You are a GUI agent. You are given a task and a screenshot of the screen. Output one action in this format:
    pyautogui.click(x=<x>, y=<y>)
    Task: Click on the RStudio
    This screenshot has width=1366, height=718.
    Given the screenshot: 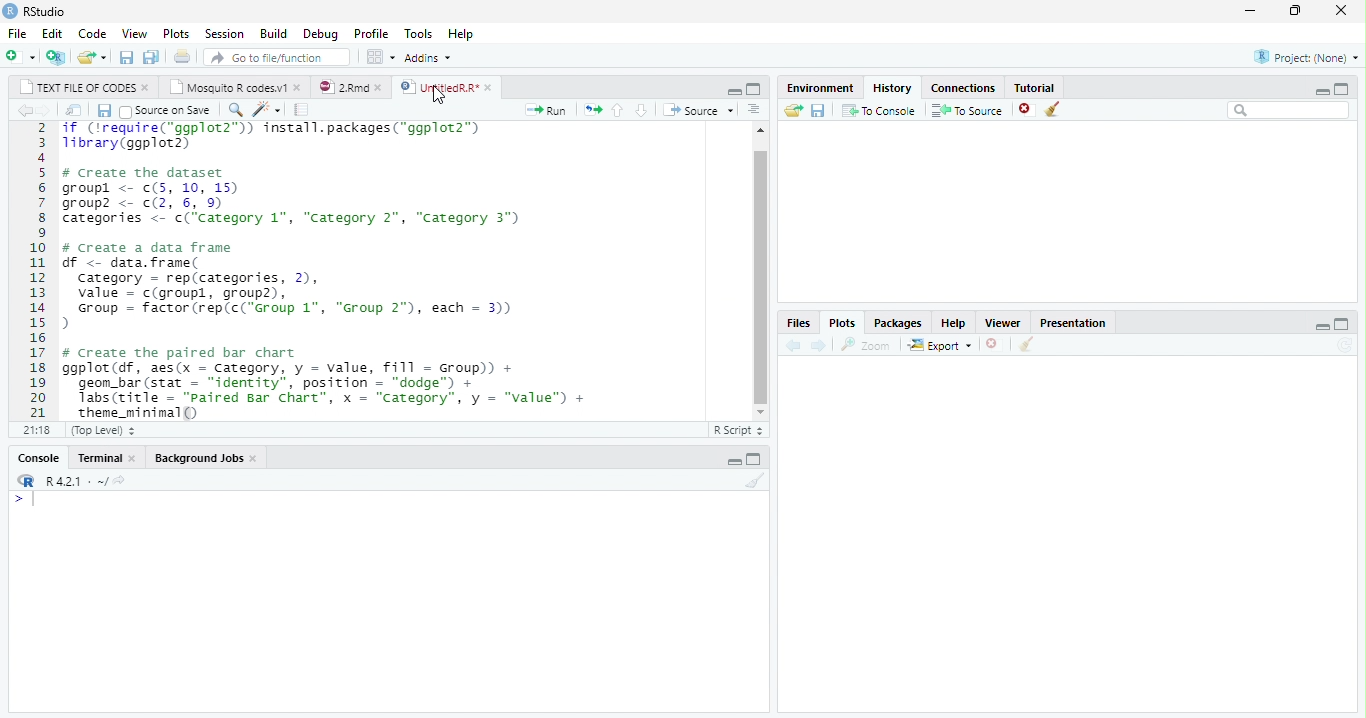 What is the action you would take?
    pyautogui.click(x=47, y=11)
    